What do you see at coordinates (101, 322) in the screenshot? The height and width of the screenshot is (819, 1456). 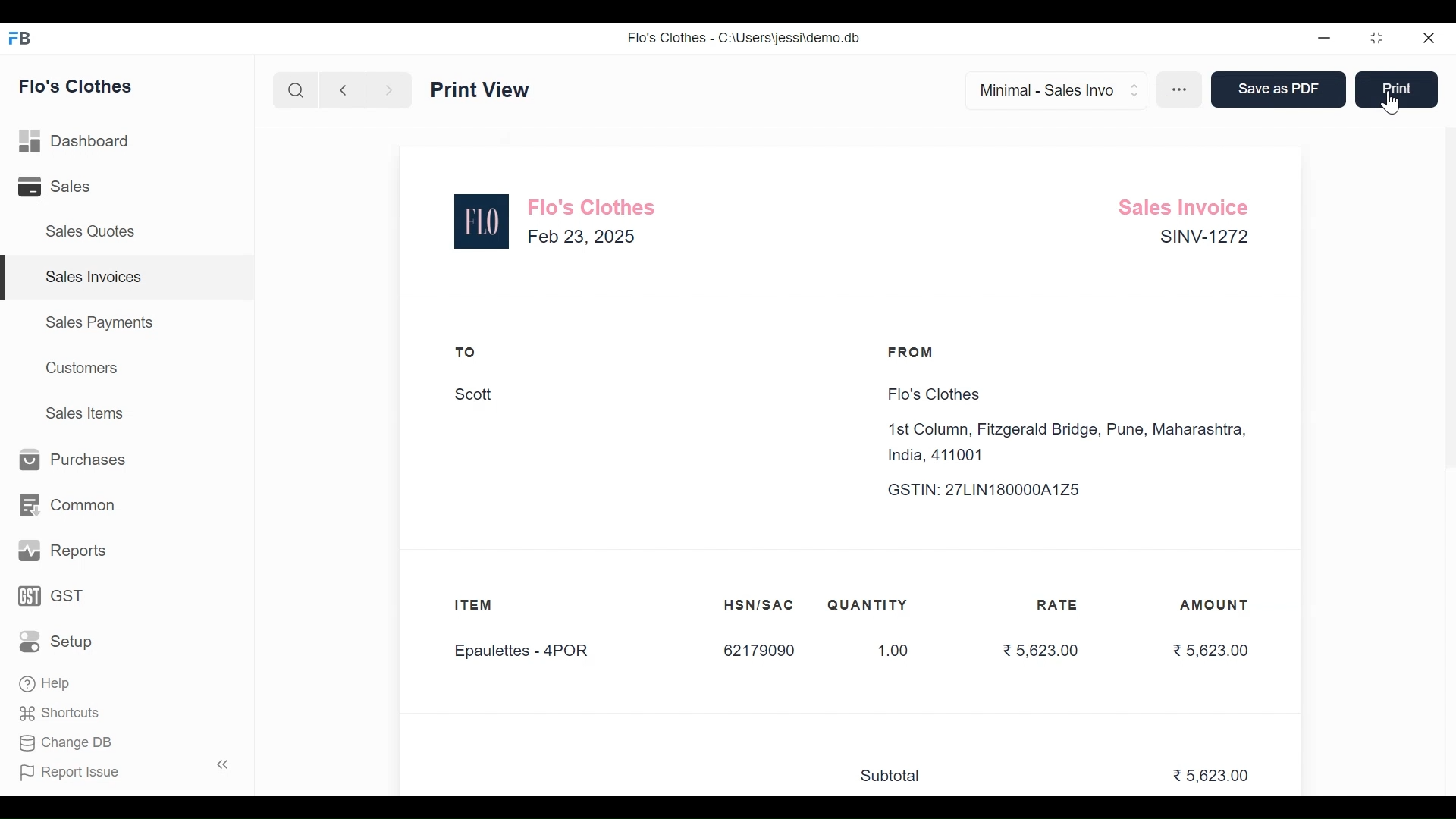 I see `Sales Payments` at bounding box center [101, 322].